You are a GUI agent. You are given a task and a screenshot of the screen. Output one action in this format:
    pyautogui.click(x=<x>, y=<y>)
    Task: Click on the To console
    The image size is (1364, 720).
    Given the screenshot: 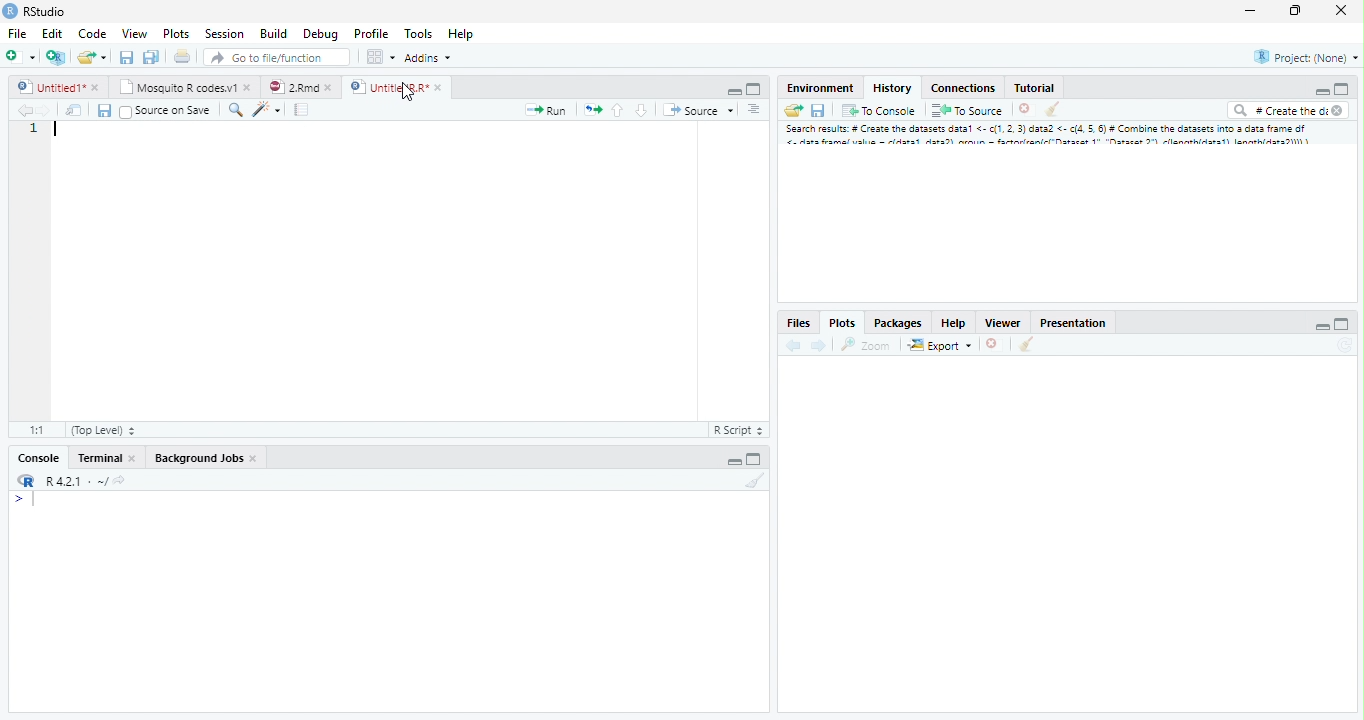 What is the action you would take?
    pyautogui.click(x=881, y=111)
    